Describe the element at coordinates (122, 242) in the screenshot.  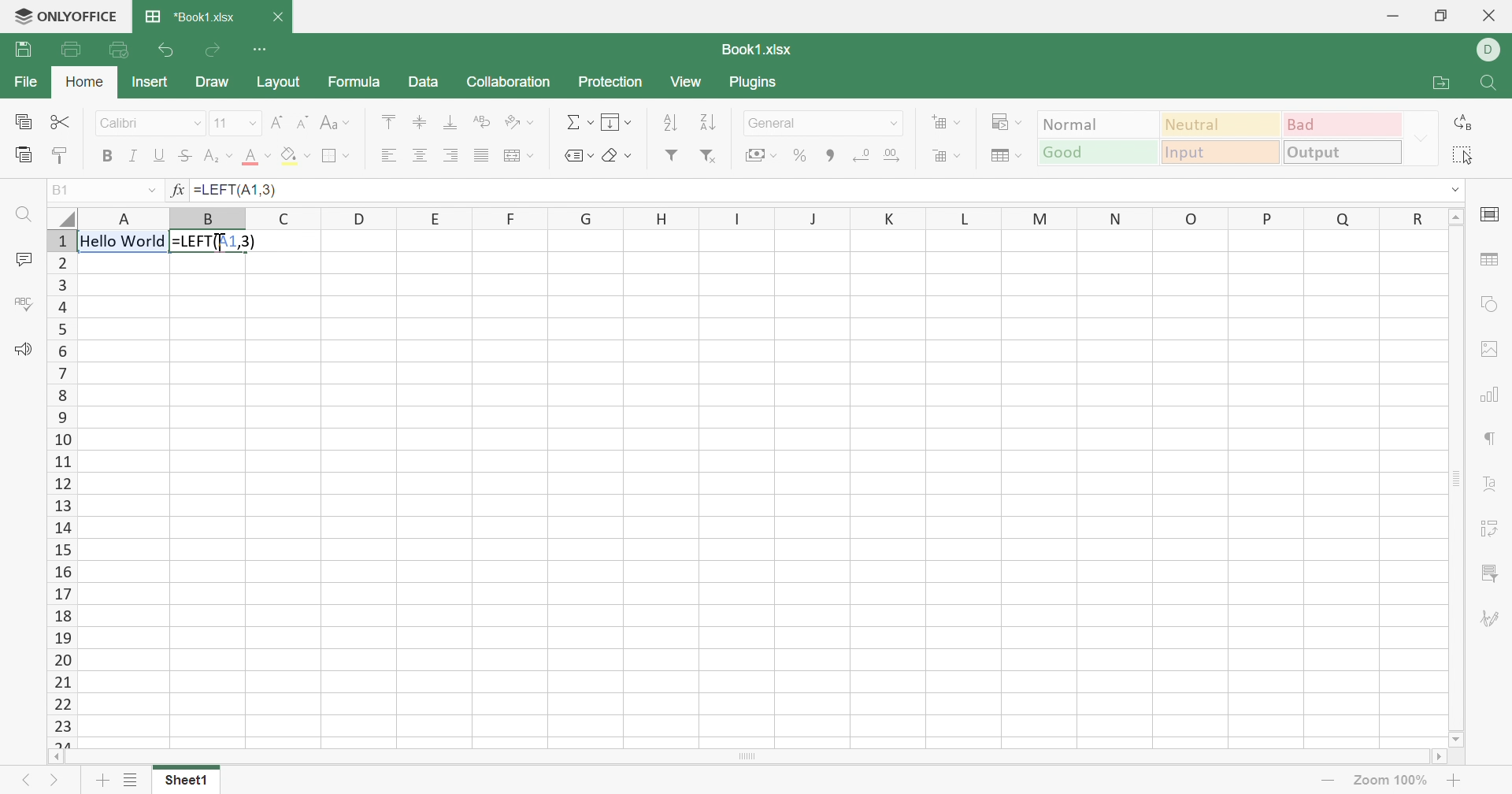
I see `Hello world` at that location.